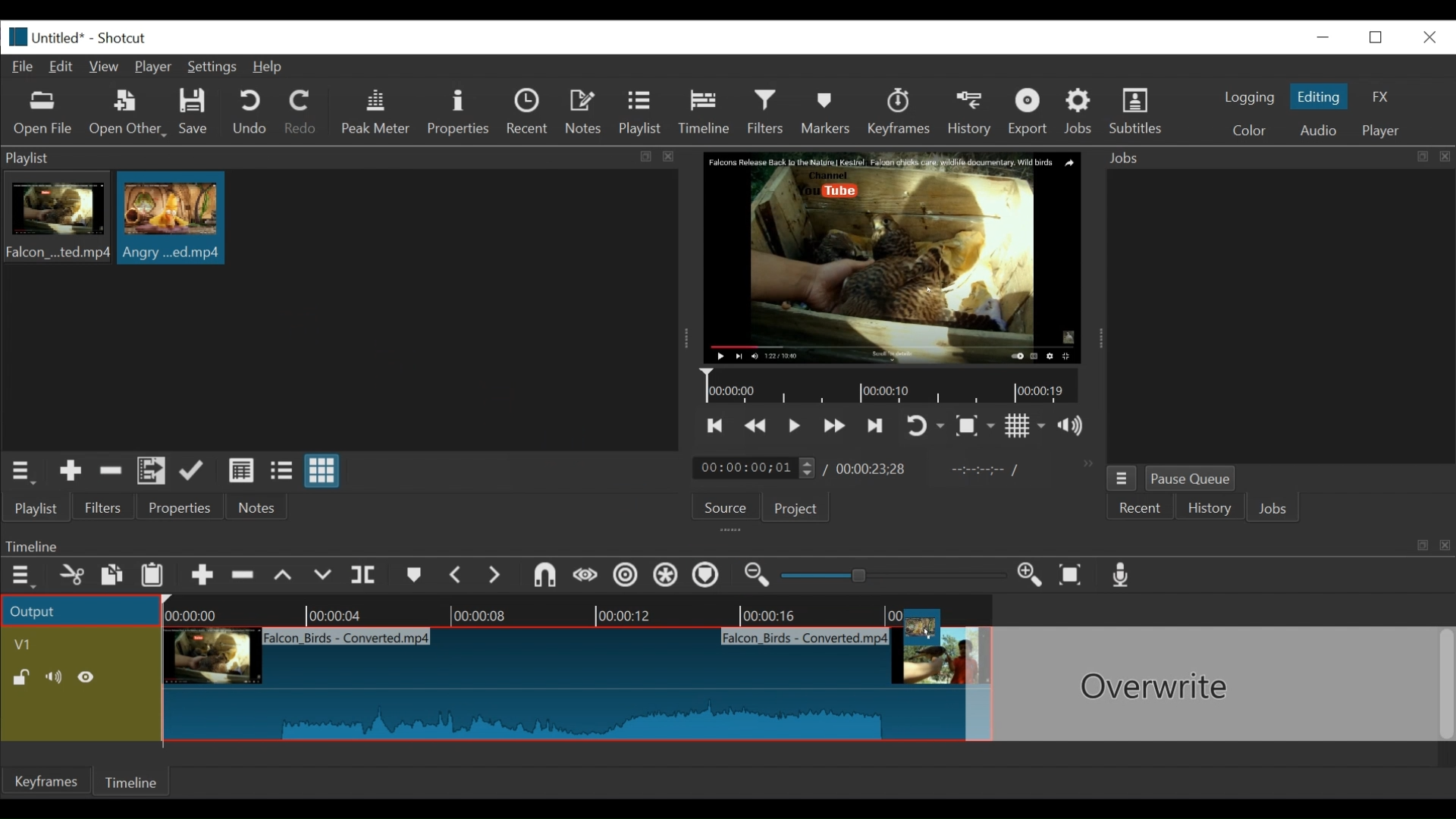  Describe the element at coordinates (726, 545) in the screenshot. I see `Timeline Panel` at that location.